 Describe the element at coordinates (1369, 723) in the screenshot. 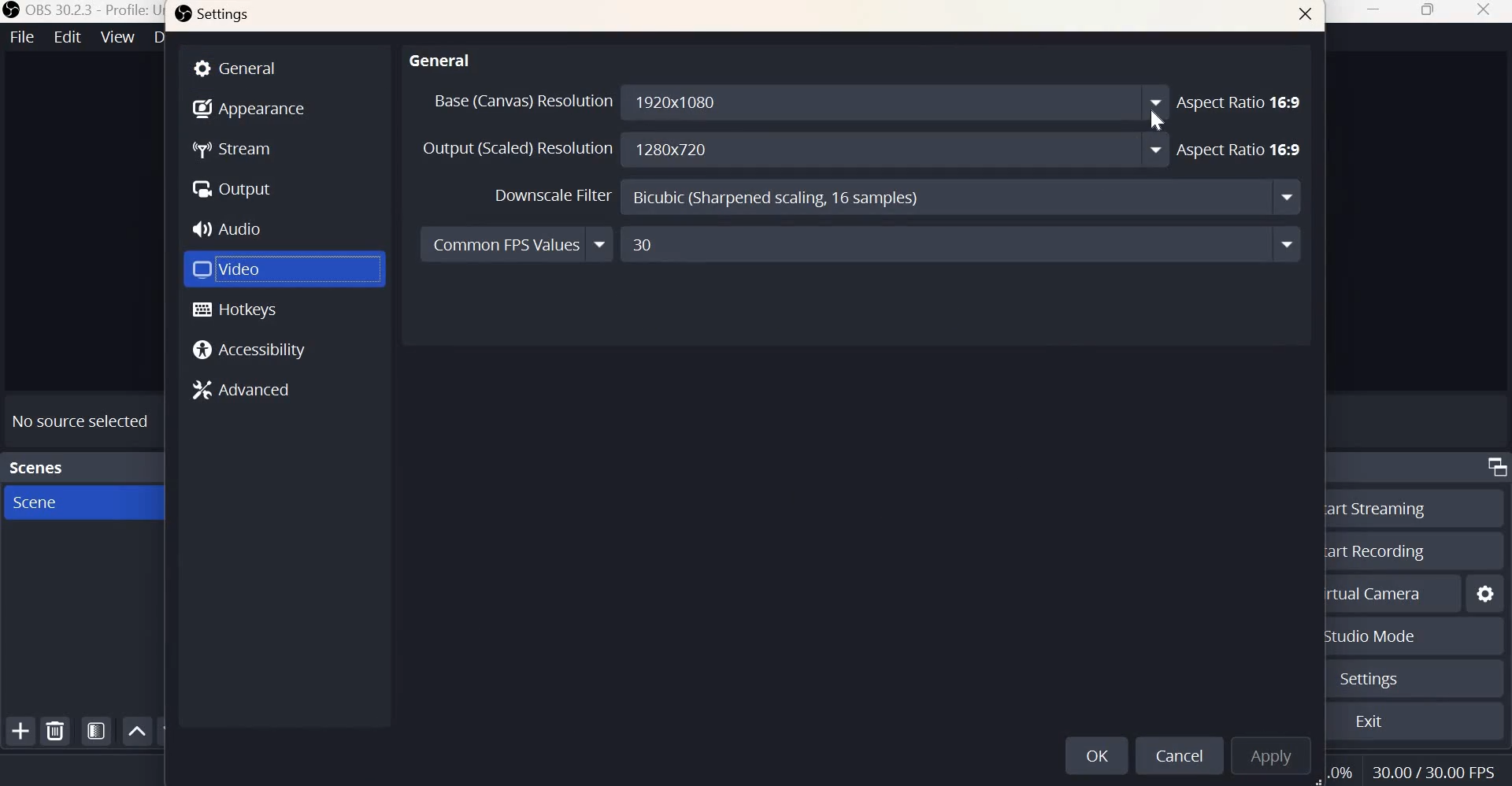

I see `Exit` at that location.